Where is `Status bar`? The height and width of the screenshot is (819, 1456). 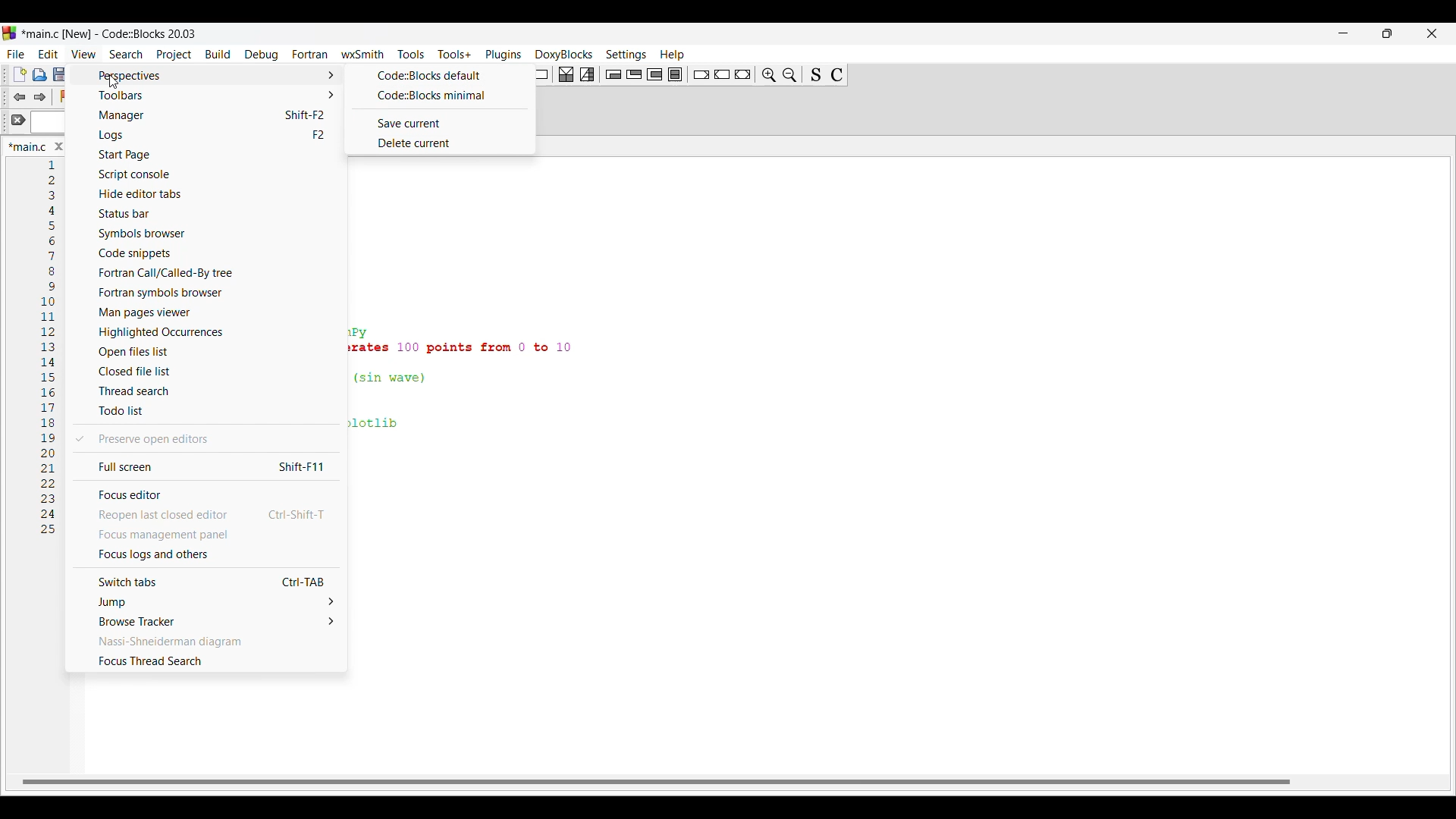
Status bar is located at coordinates (208, 214).